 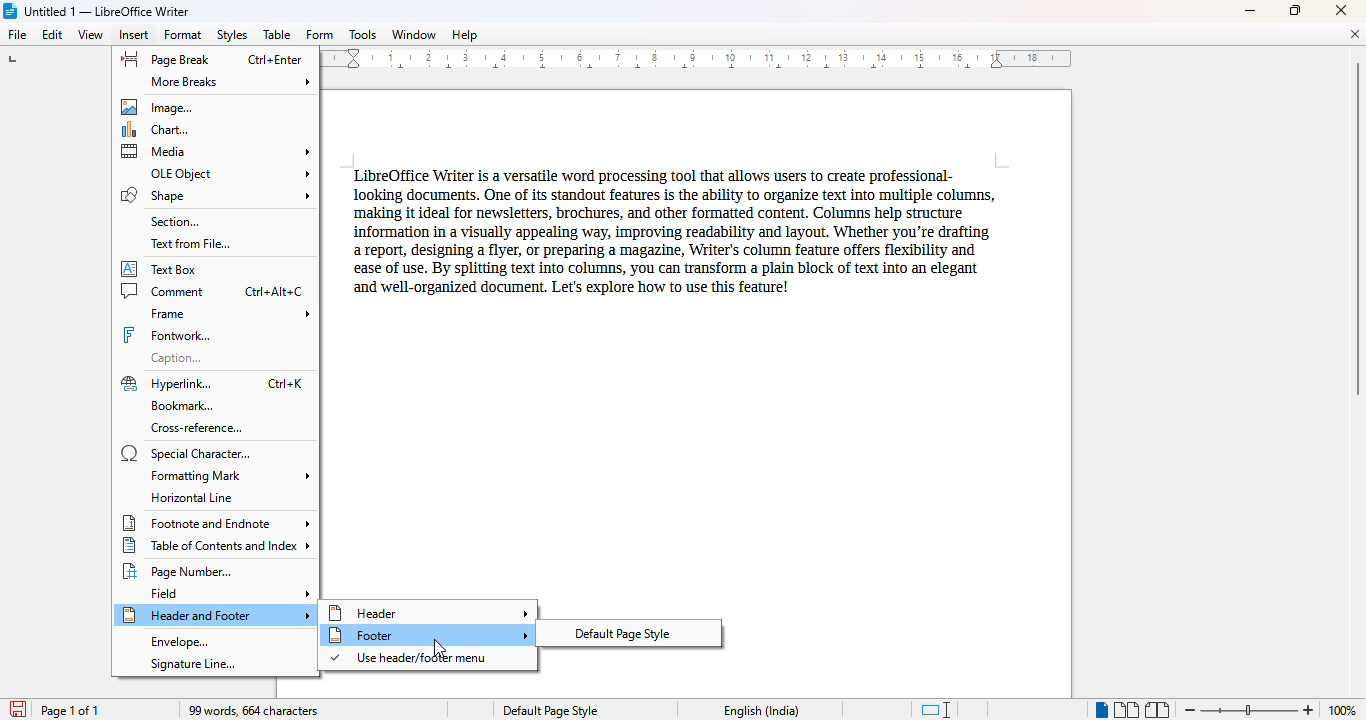 What do you see at coordinates (937, 710) in the screenshot?
I see `standard selection` at bounding box center [937, 710].